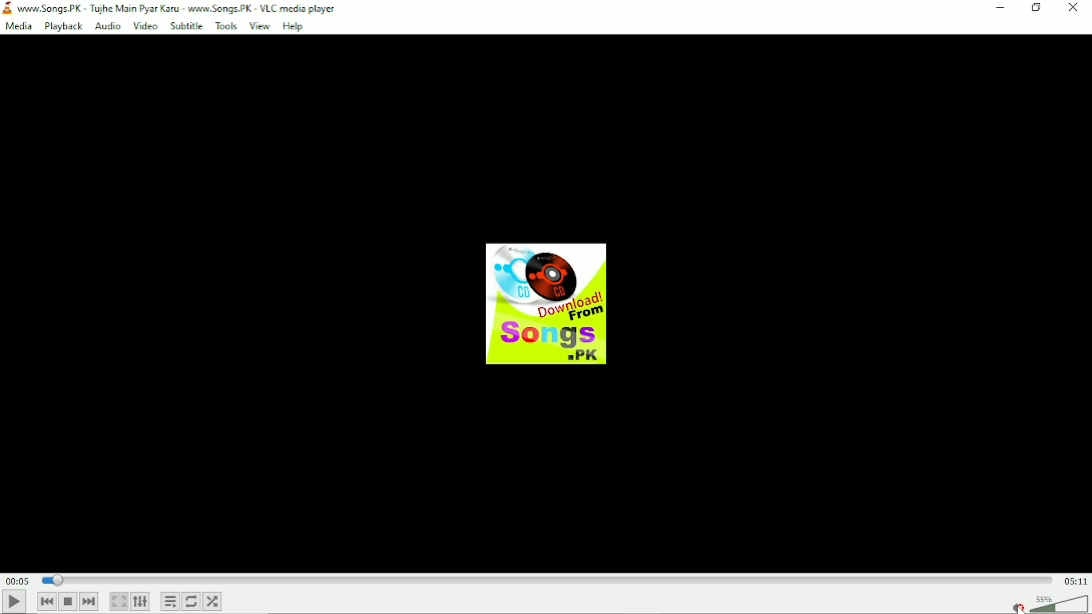  What do you see at coordinates (1001, 8) in the screenshot?
I see `Minimize` at bounding box center [1001, 8].